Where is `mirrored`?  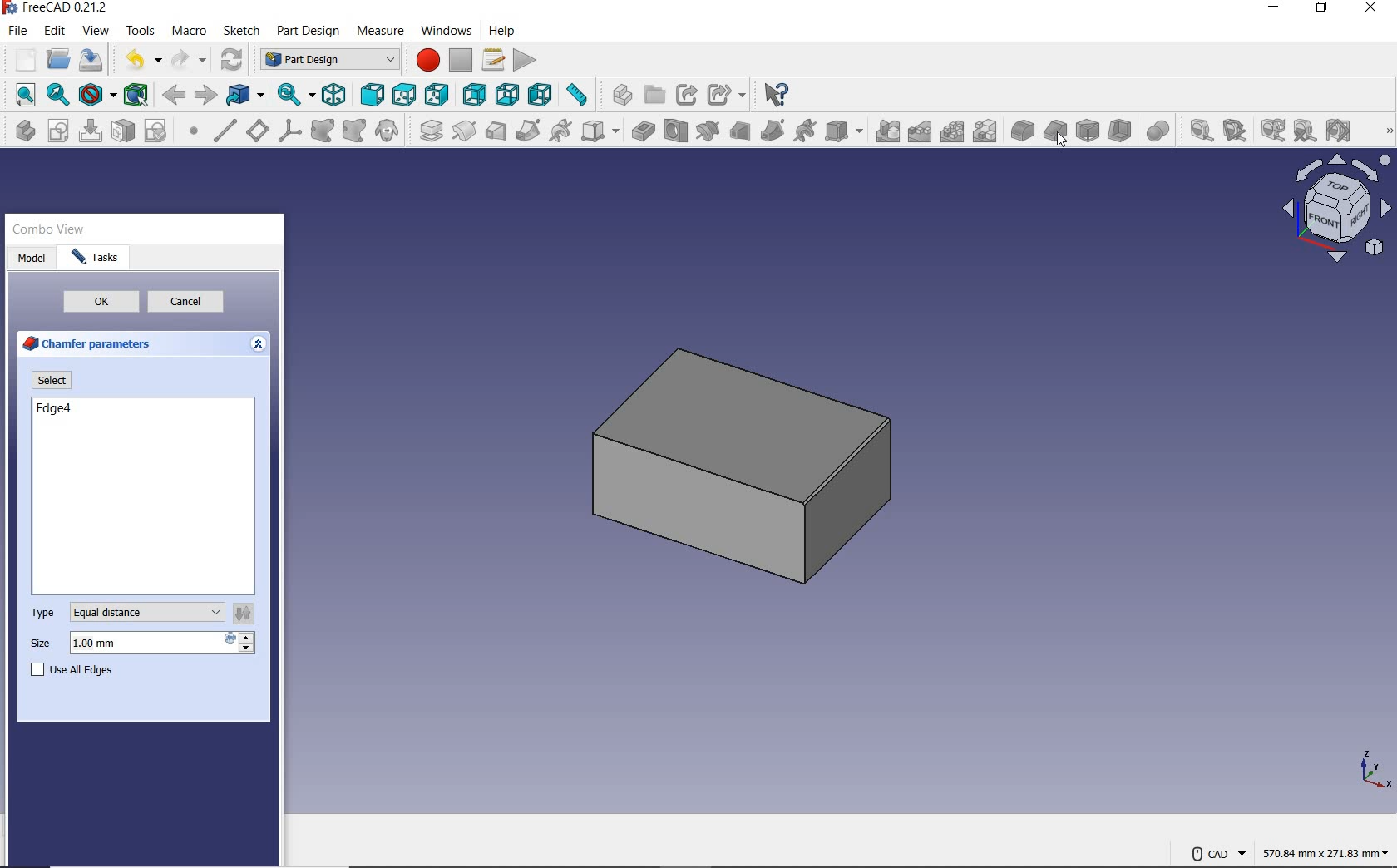 mirrored is located at coordinates (888, 131).